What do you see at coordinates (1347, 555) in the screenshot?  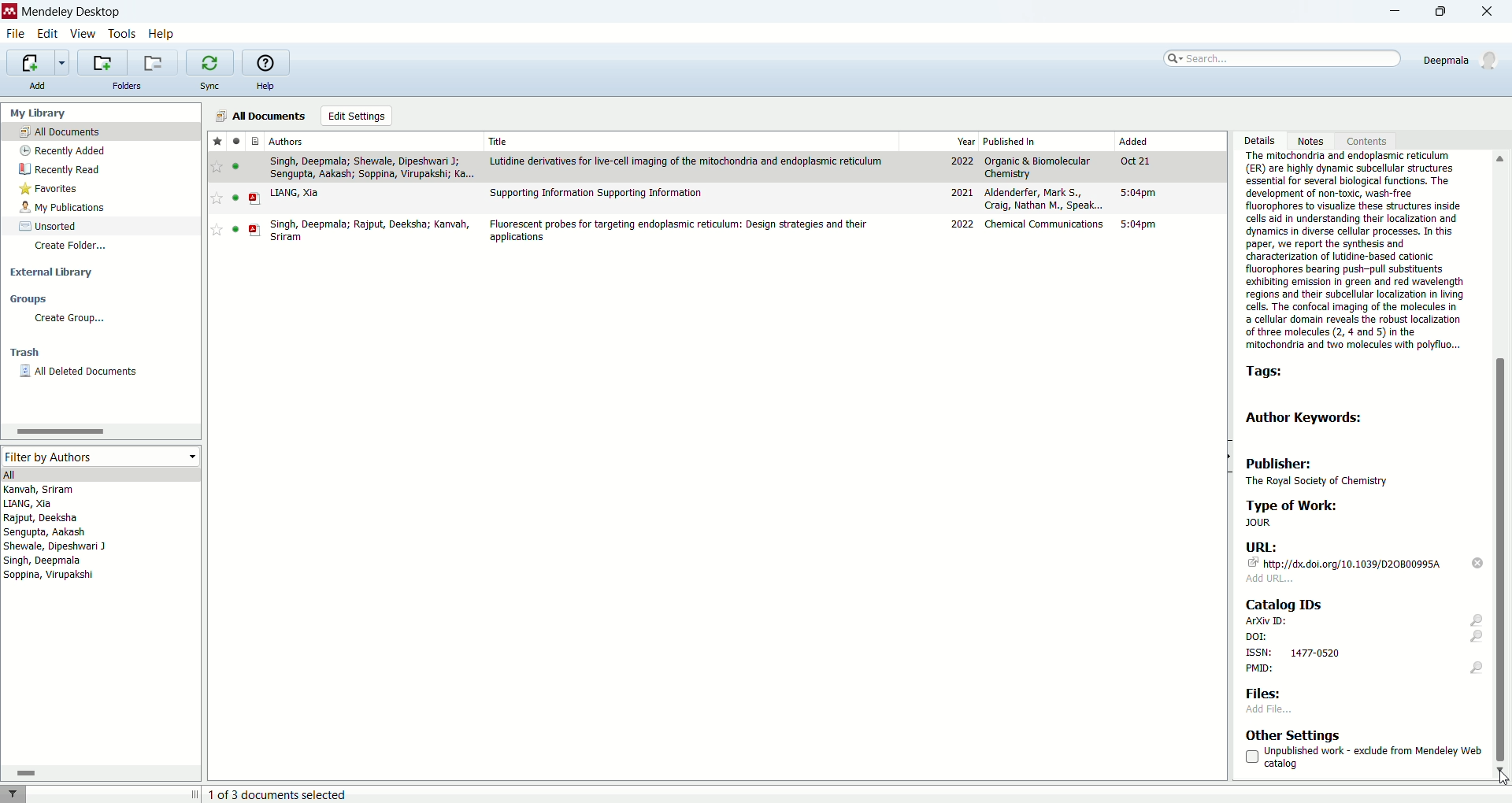 I see `URL: http://dx.doi.org/10.1039/D20B00995A` at bounding box center [1347, 555].